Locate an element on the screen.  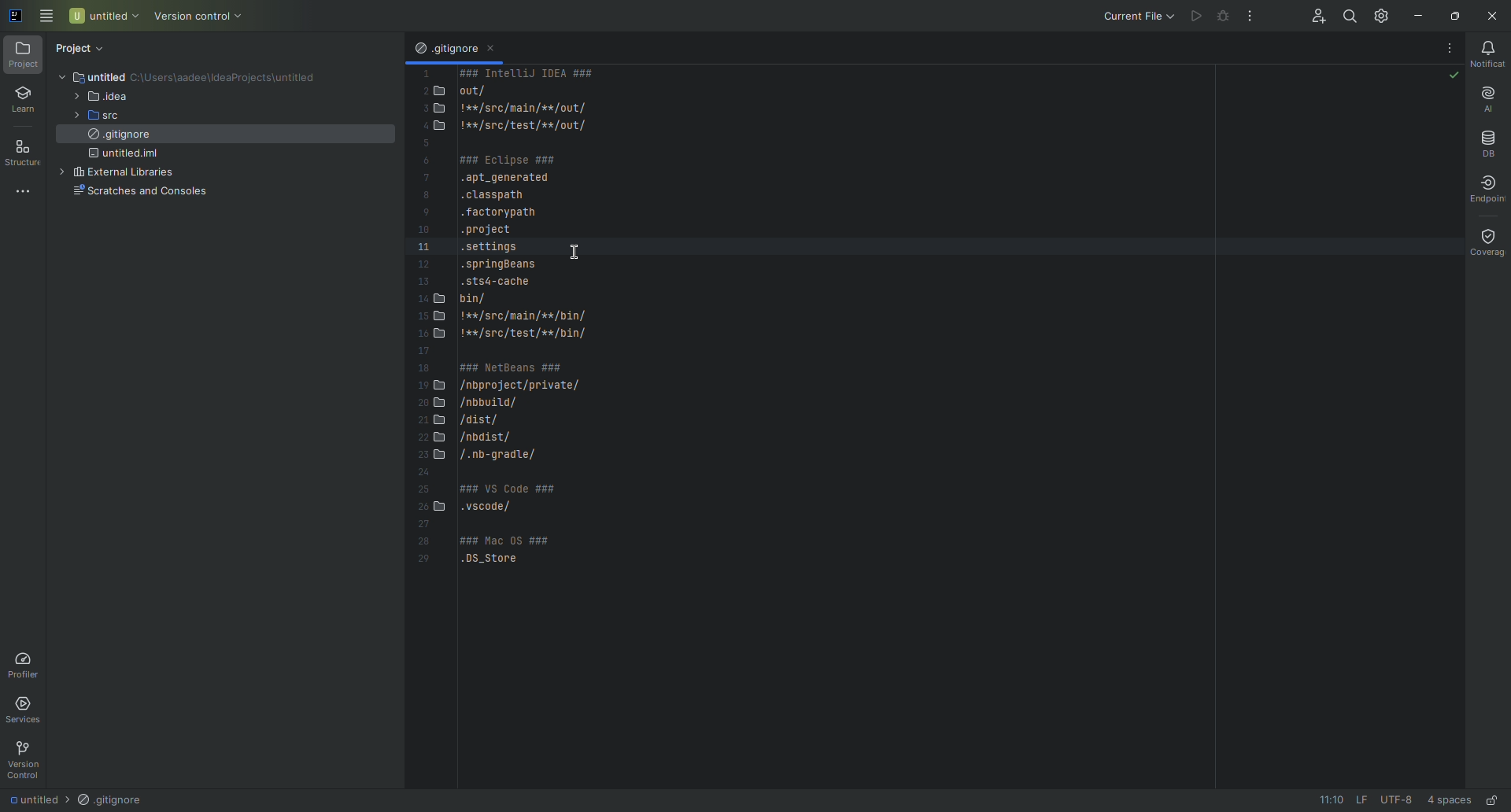
Version control is located at coordinates (201, 15).